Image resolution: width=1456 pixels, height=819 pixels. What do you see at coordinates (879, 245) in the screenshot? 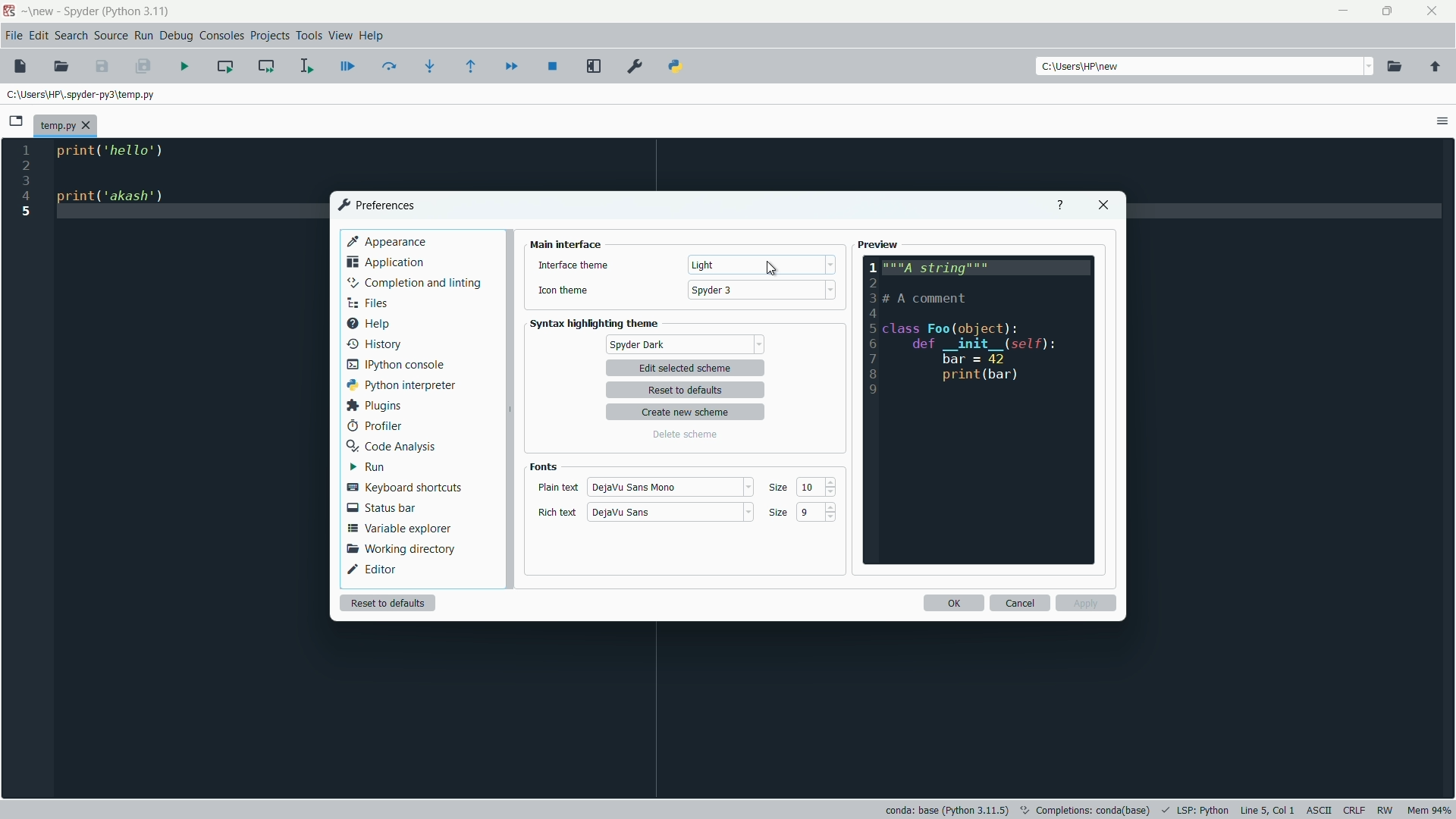
I see `preview` at bounding box center [879, 245].